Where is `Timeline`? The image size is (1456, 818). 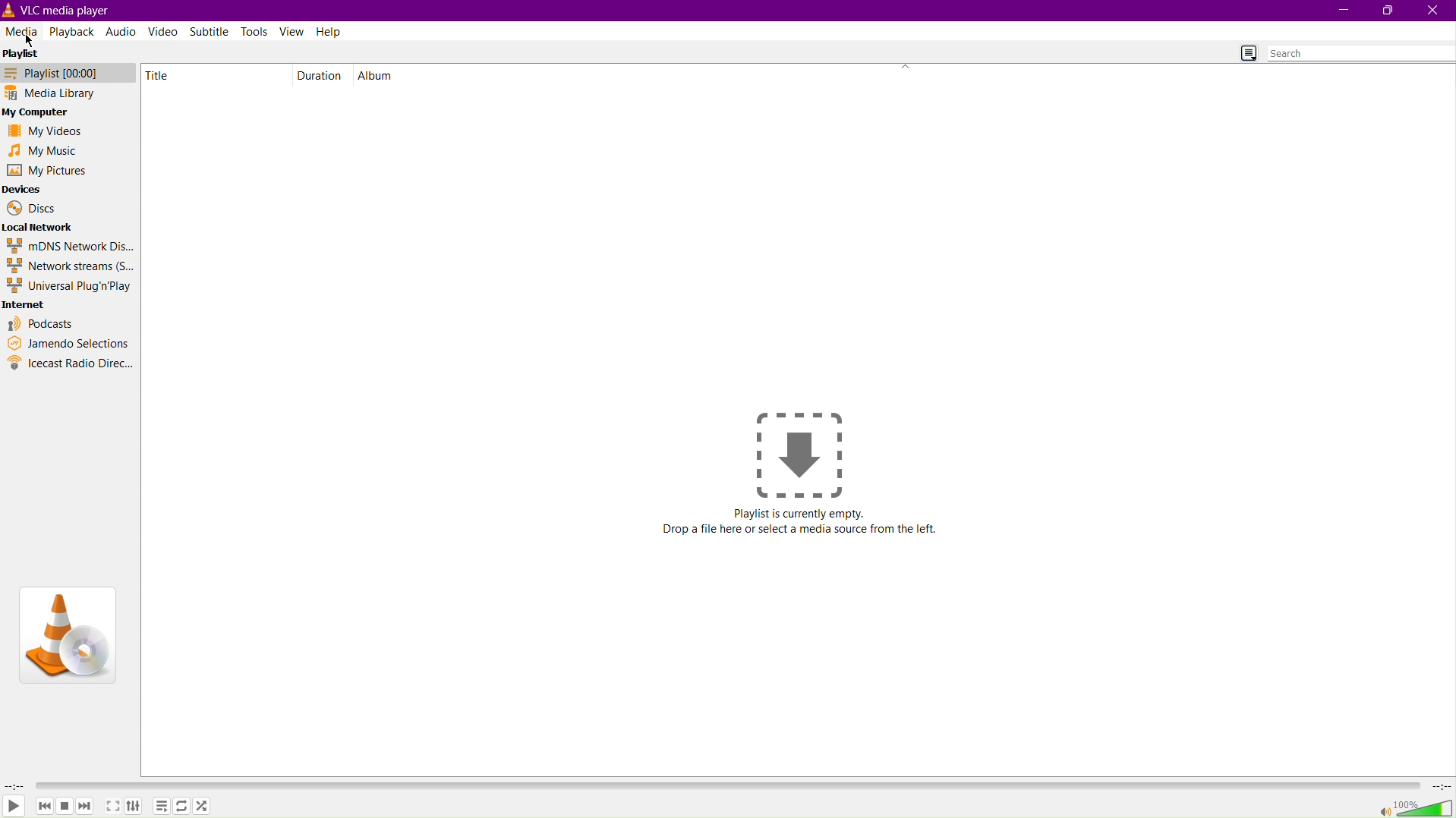 Timeline is located at coordinates (725, 785).